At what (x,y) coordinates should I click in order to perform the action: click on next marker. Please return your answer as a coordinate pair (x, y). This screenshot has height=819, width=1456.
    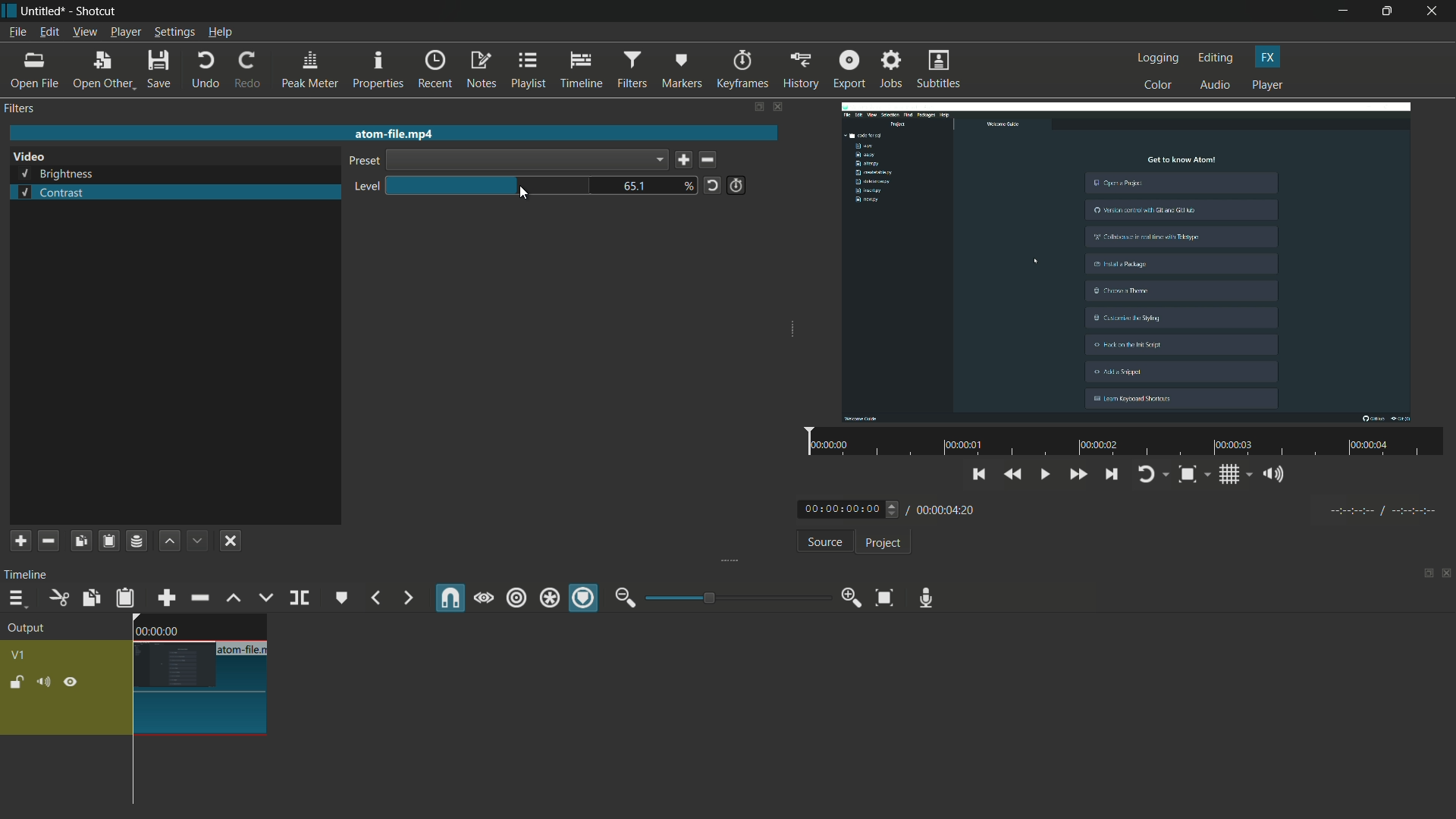
    Looking at the image, I should click on (406, 598).